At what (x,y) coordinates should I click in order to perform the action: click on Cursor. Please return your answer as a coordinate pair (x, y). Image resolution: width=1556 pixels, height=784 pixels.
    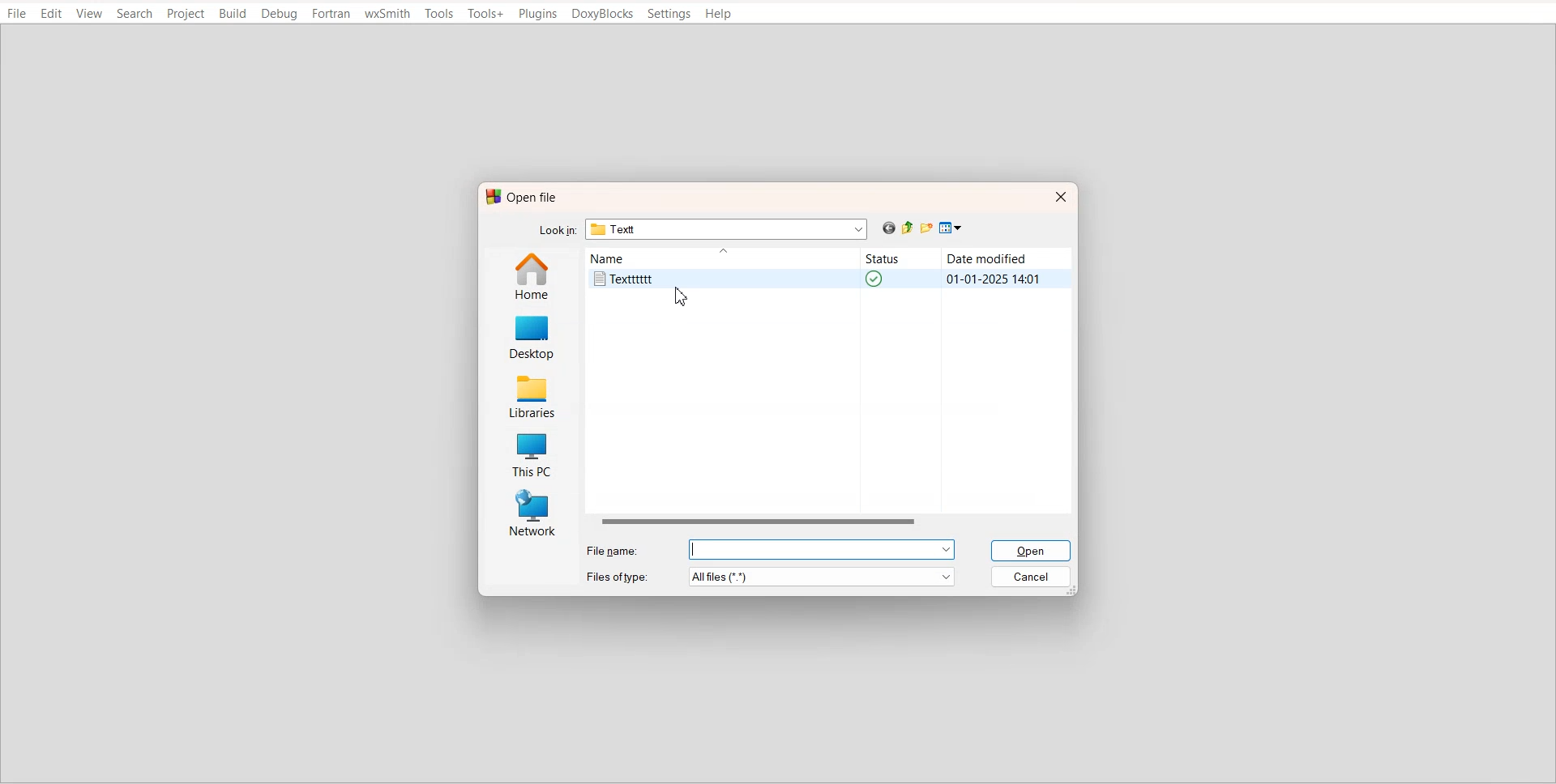
    Looking at the image, I should click on (682, 297).